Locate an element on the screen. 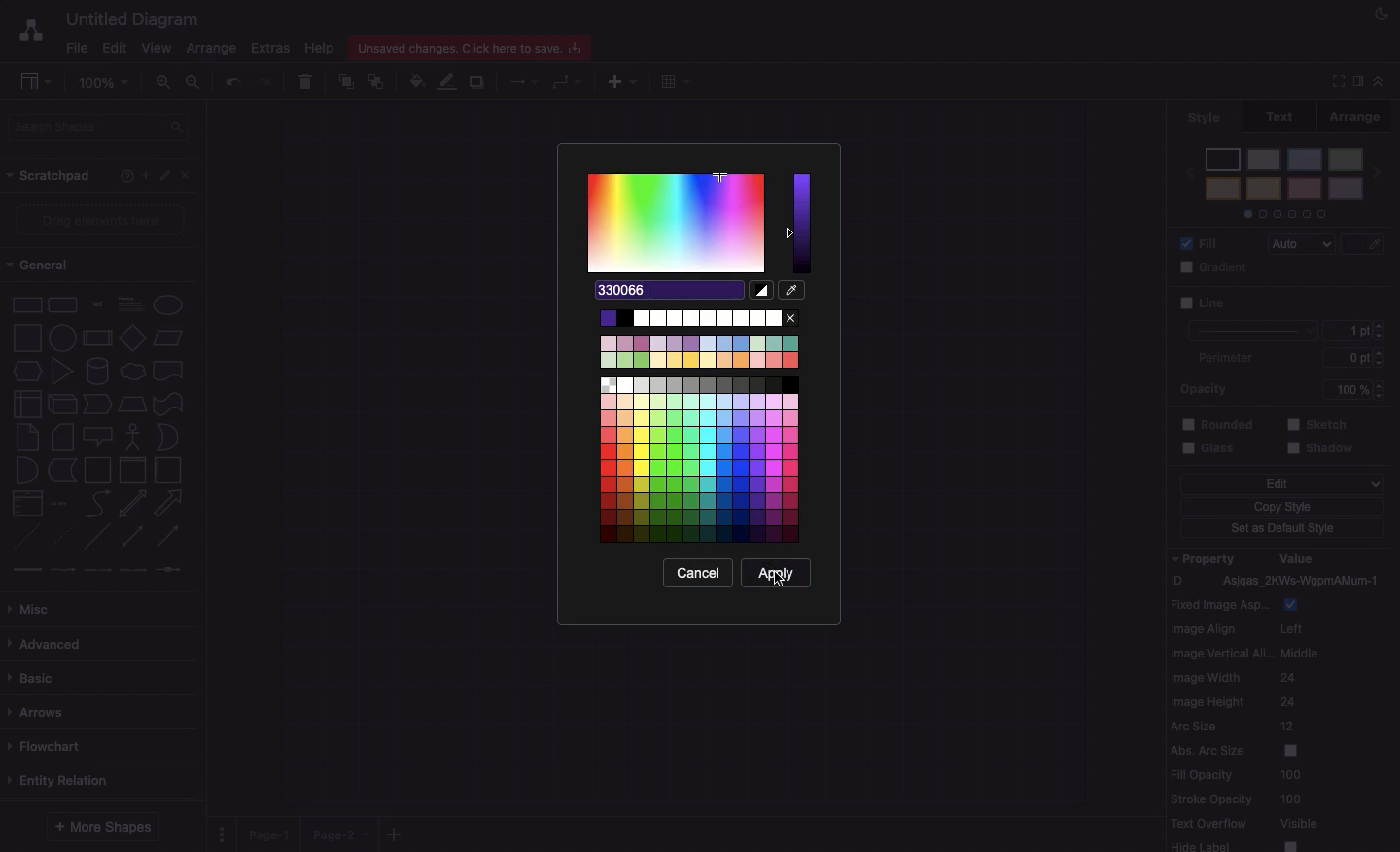 The width and height of the screenshot is (1400, 852). vertical container is located at coordinates (131, 471).